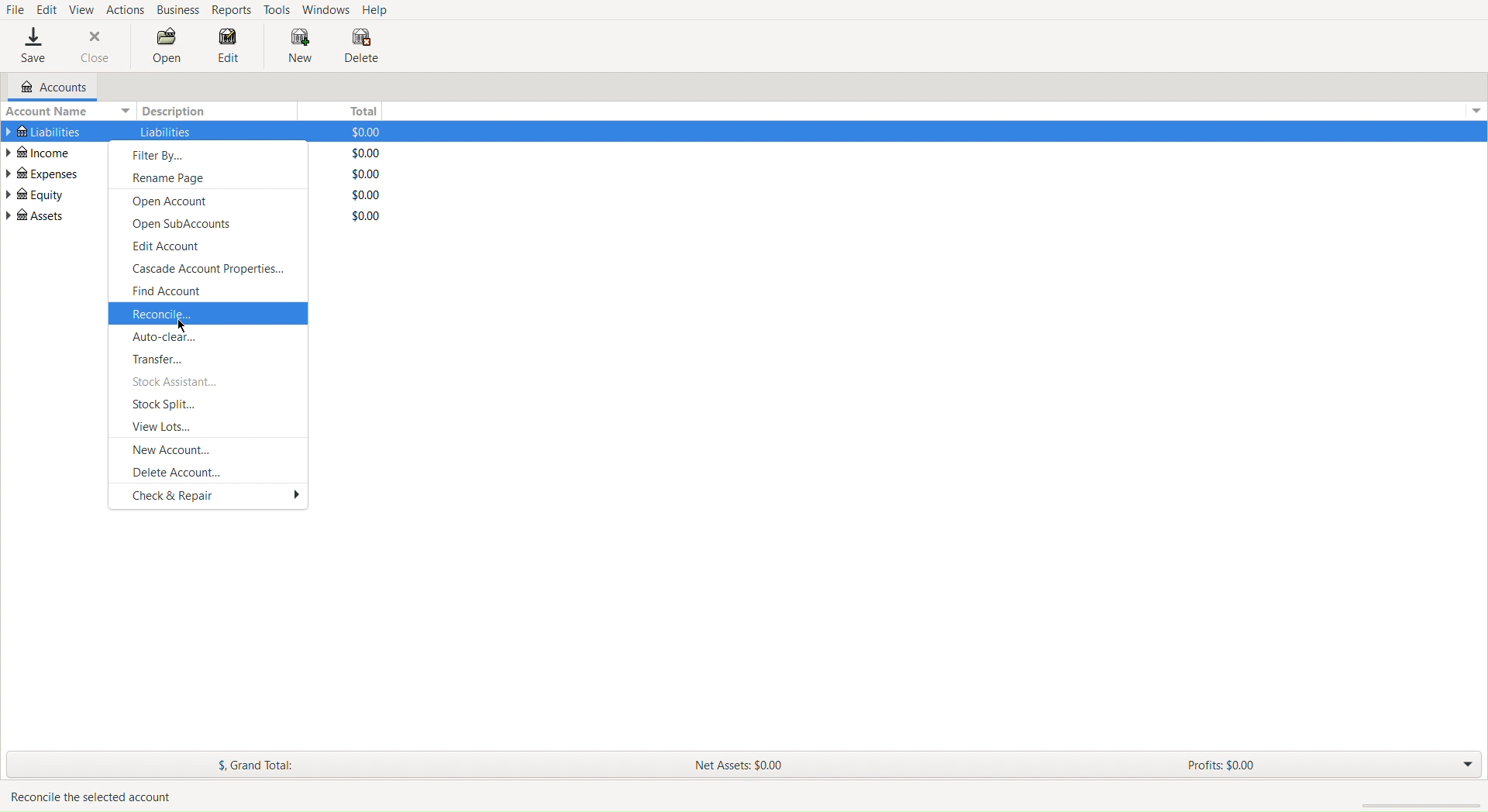 This screenshot has width=1488, height=812. What do you see at coordinates (69, 113) in the screenshot?
I see `Account Name` at bounding box center [69, 113].